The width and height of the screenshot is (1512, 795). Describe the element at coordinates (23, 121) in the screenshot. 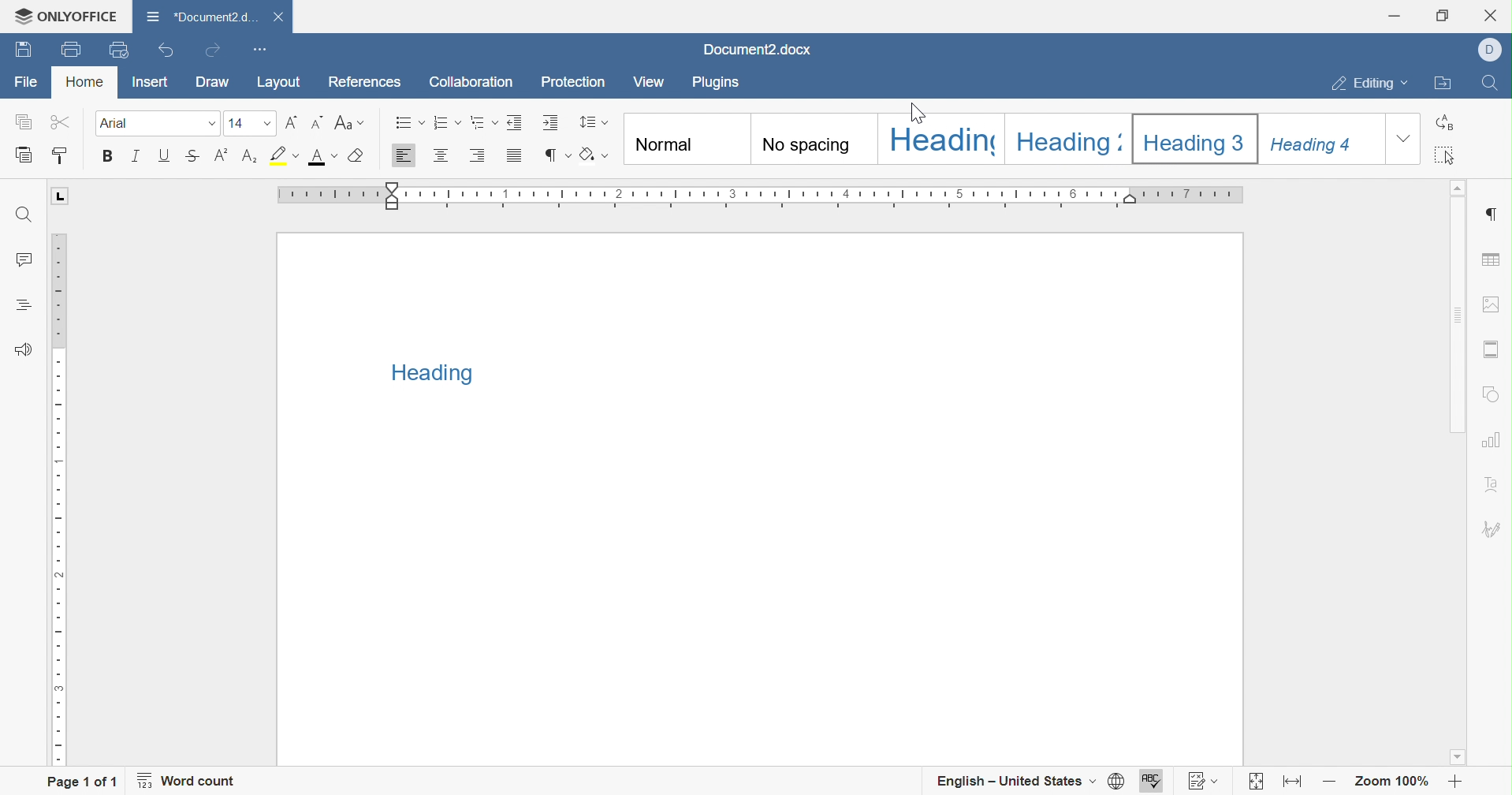

I see `Copy` at that location.